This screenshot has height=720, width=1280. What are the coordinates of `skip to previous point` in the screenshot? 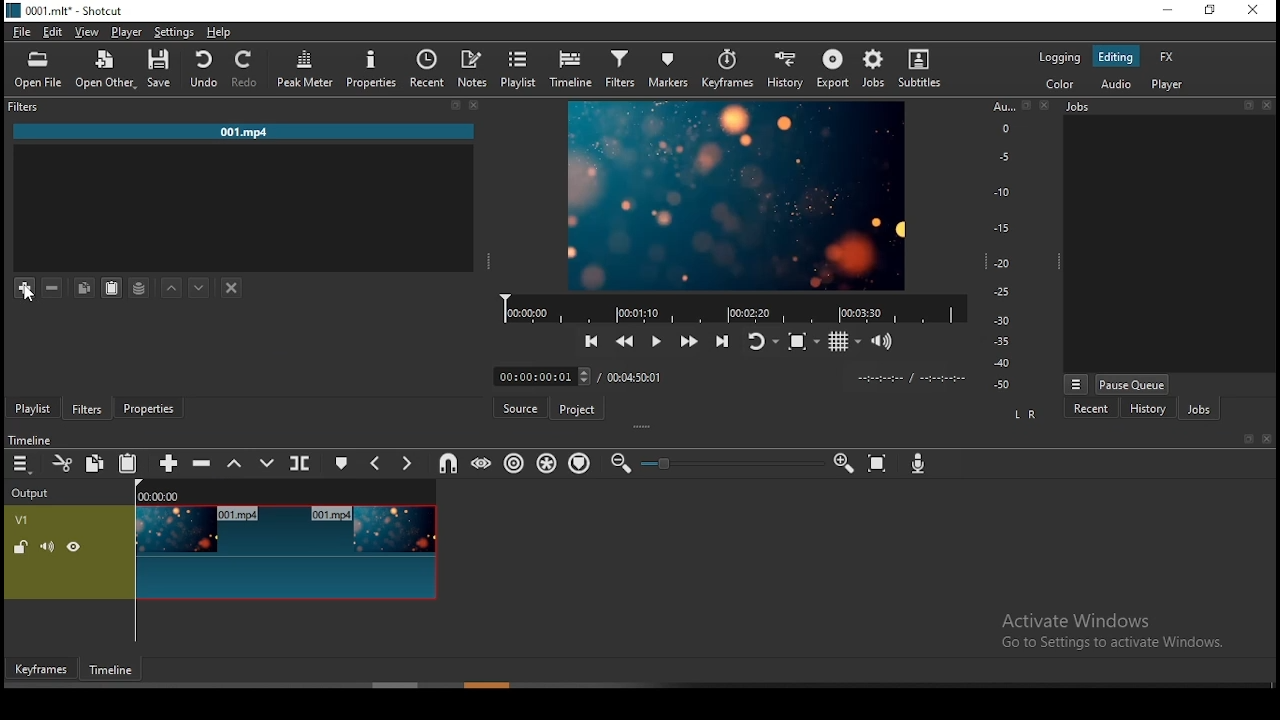 It's located at (593, 338).